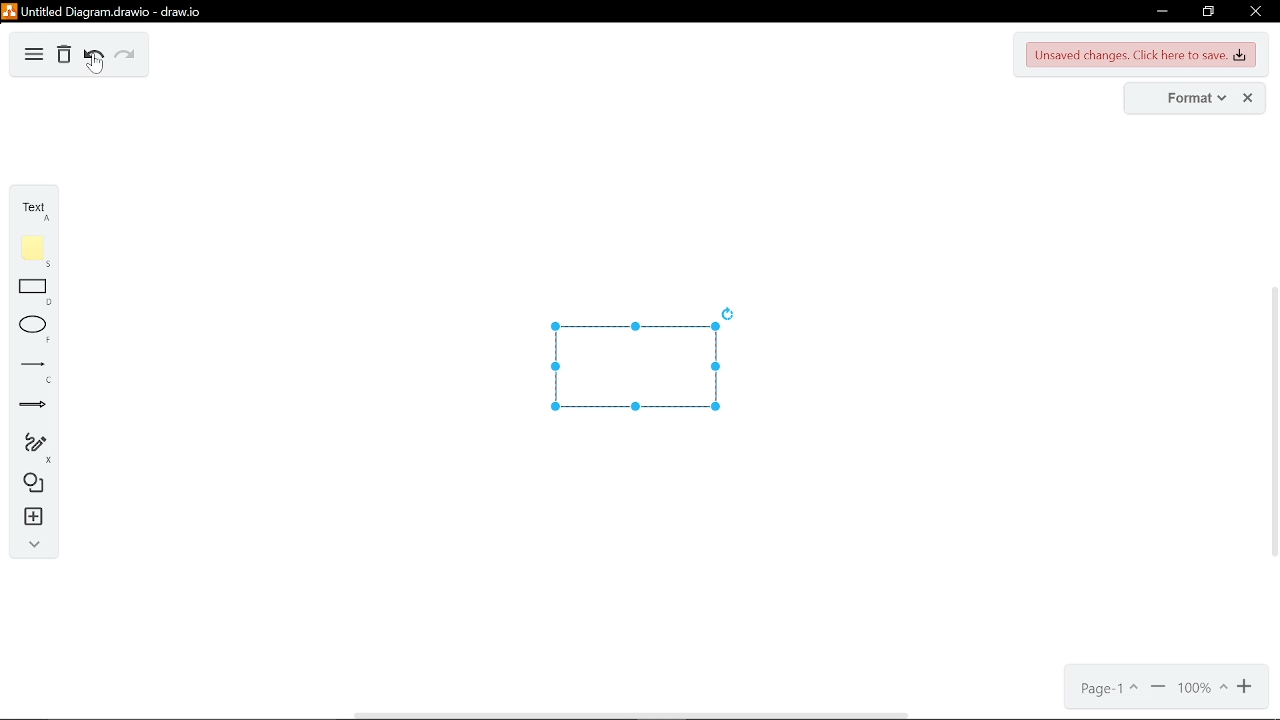  I want to click on page1, so click(1109, 692).